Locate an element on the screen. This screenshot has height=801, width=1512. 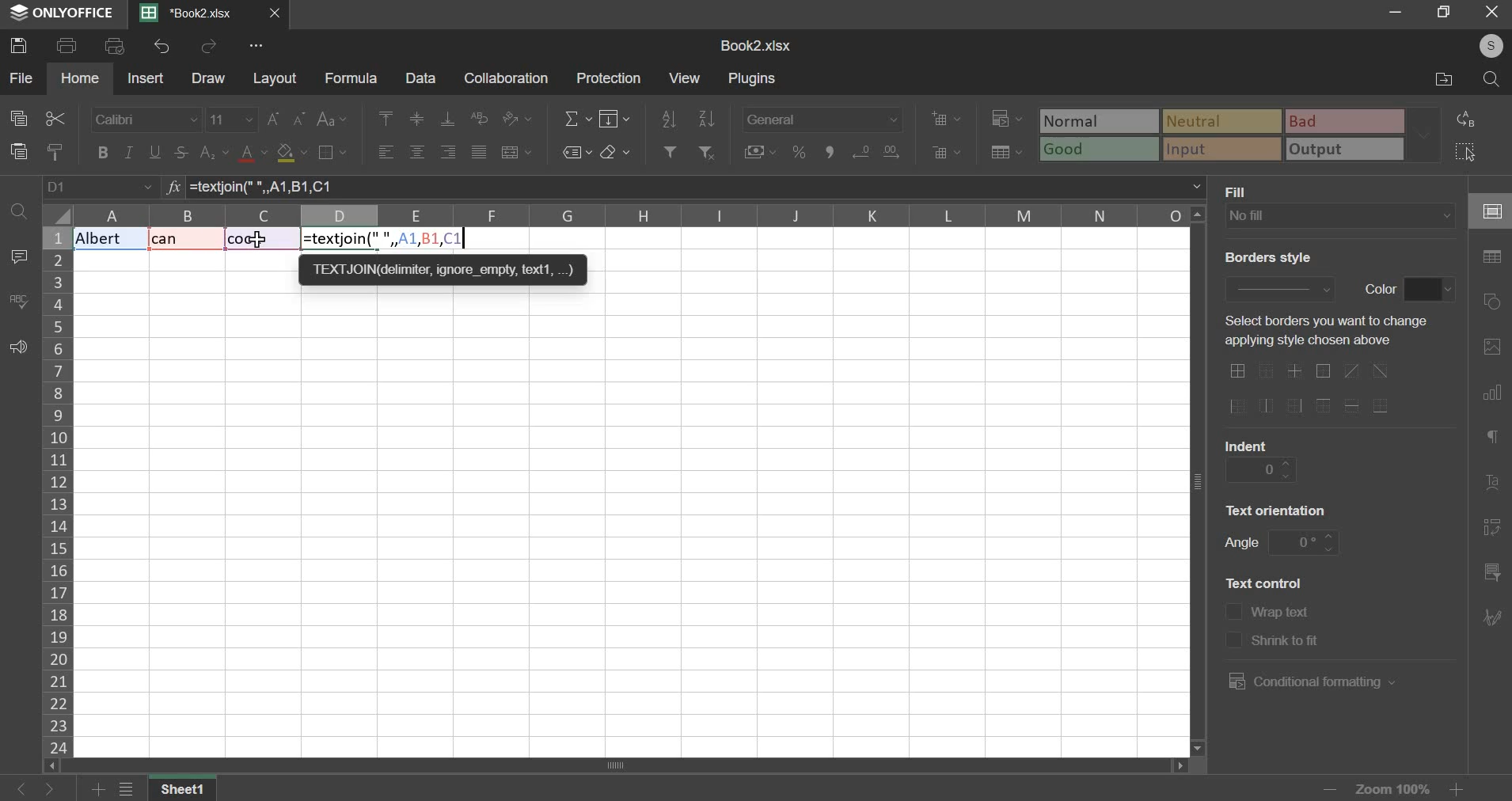
column is located at coordinates (56, 491).